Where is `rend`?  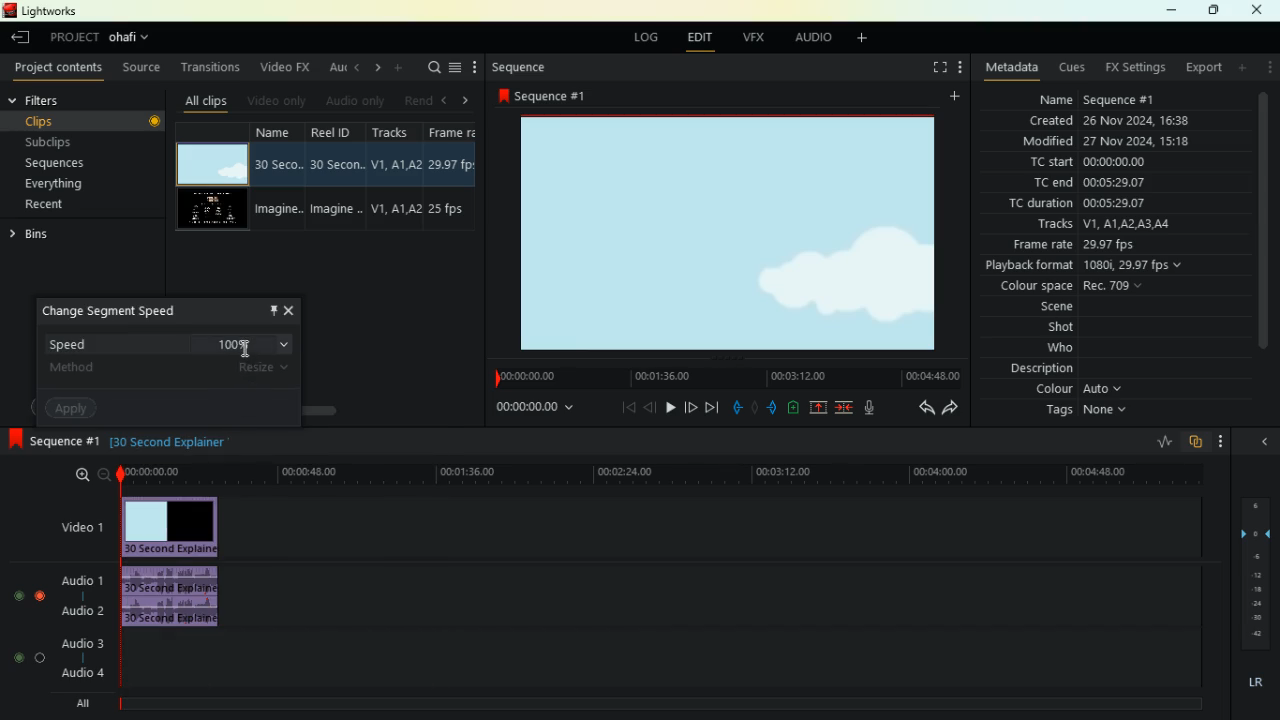
rend is located at coordinates (416, 100).